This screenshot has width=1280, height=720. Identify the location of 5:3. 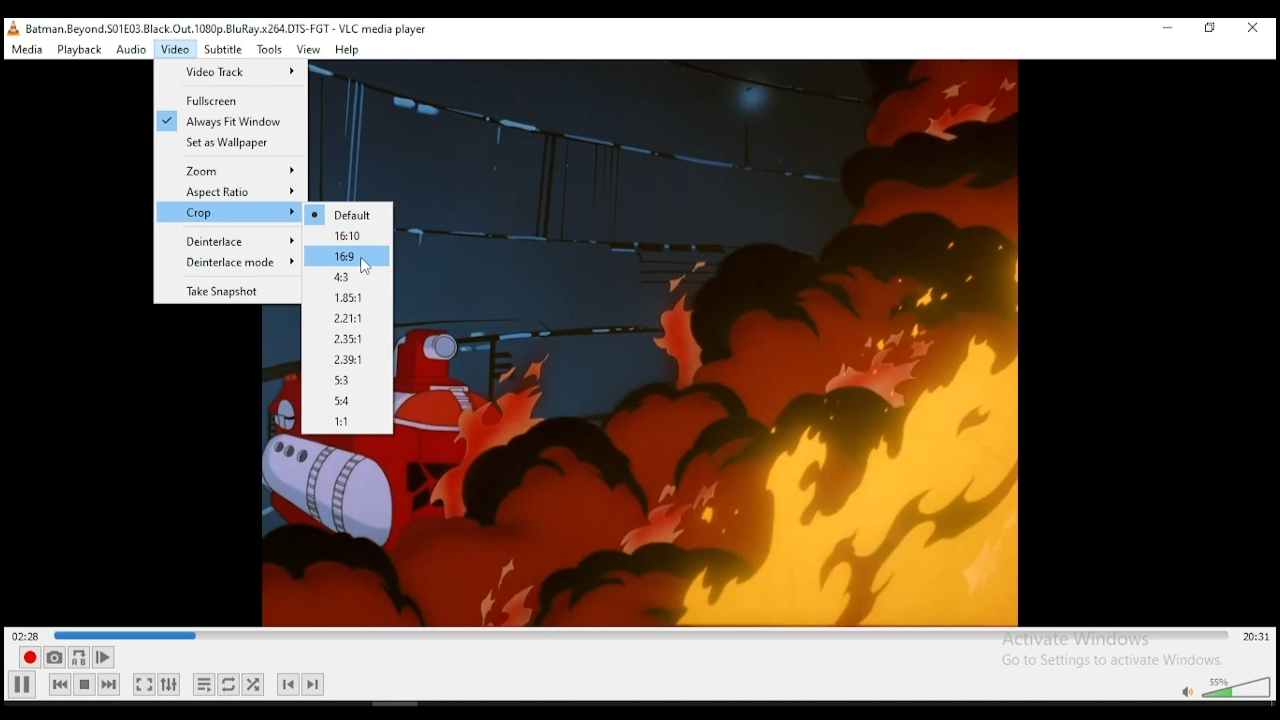
(348, 379).